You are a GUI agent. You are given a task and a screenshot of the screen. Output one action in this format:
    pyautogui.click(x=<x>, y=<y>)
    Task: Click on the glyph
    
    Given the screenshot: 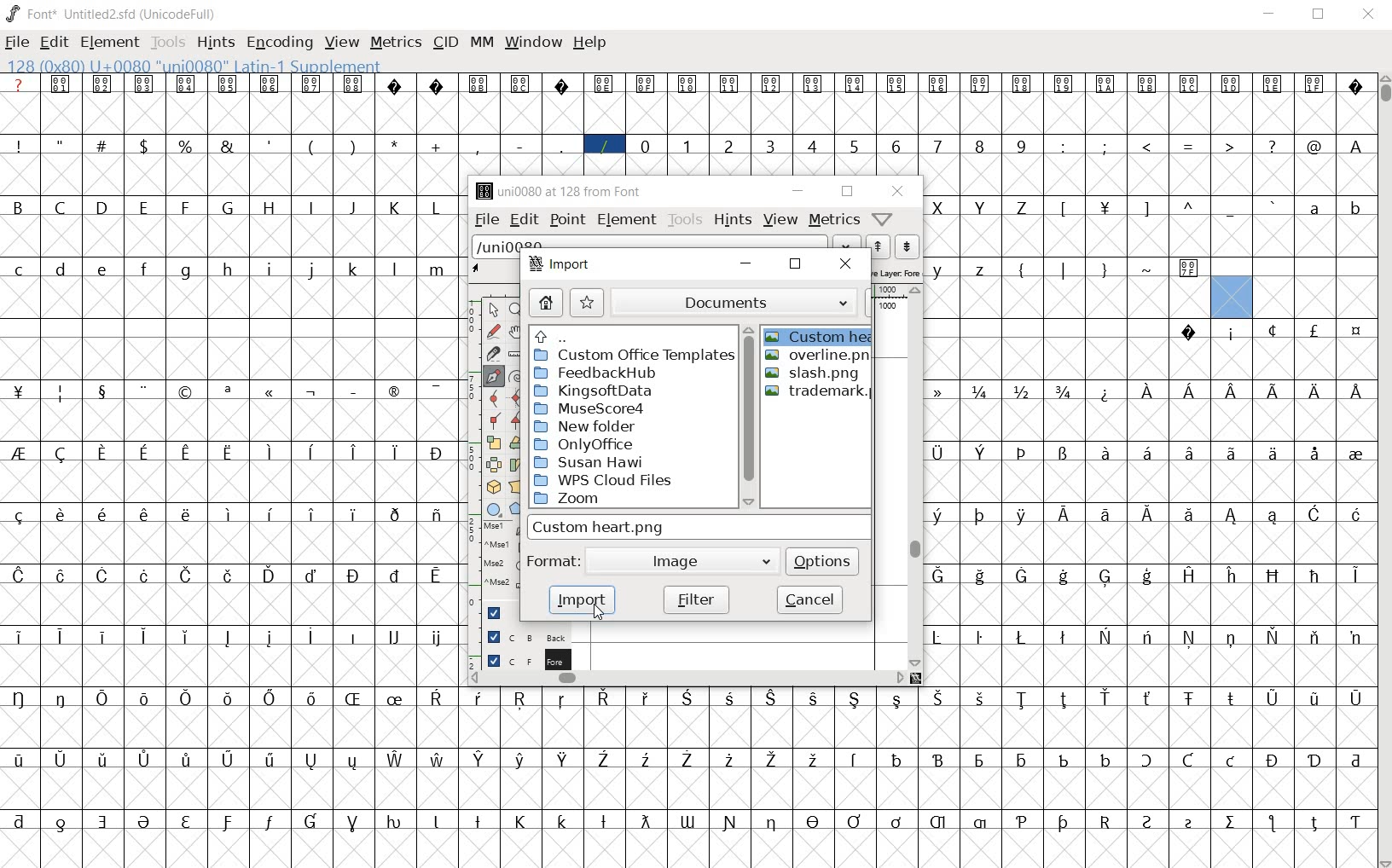 What is the action you would take?
    pyautogui.click(x=1273, y=330)
    